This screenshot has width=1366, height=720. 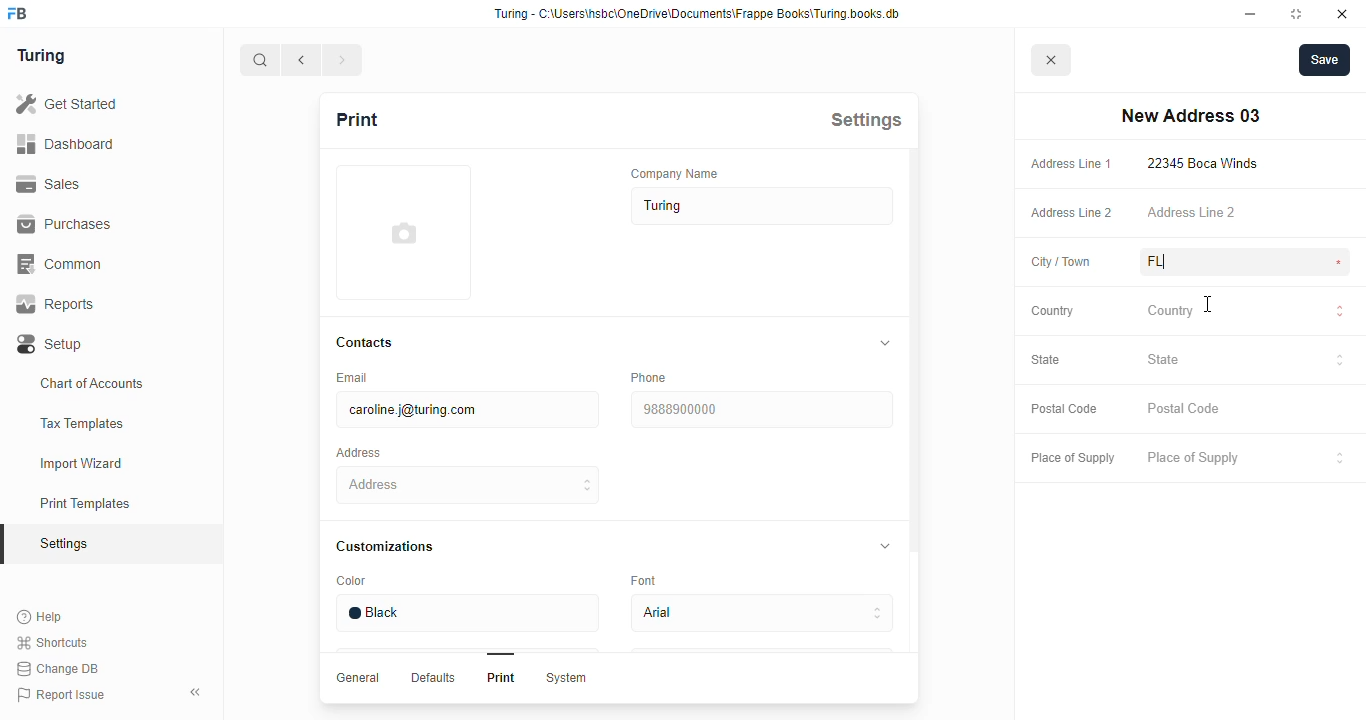 What do you see at coordinates (1207, 163) in the screenshot?
I see `22345 Boca Winds` at bounding box center [1207, 163].